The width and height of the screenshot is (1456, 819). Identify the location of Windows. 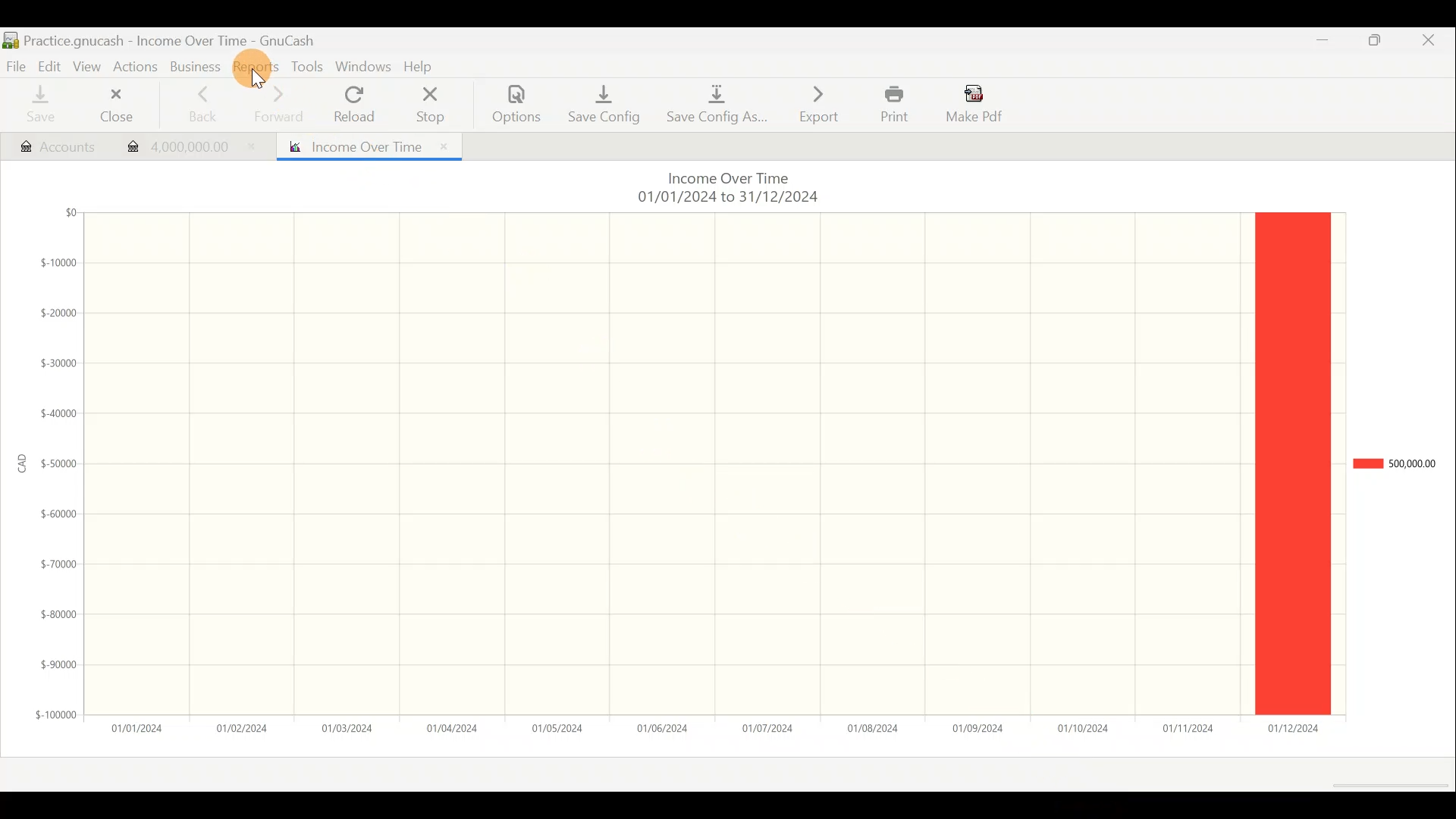
(363, 66).